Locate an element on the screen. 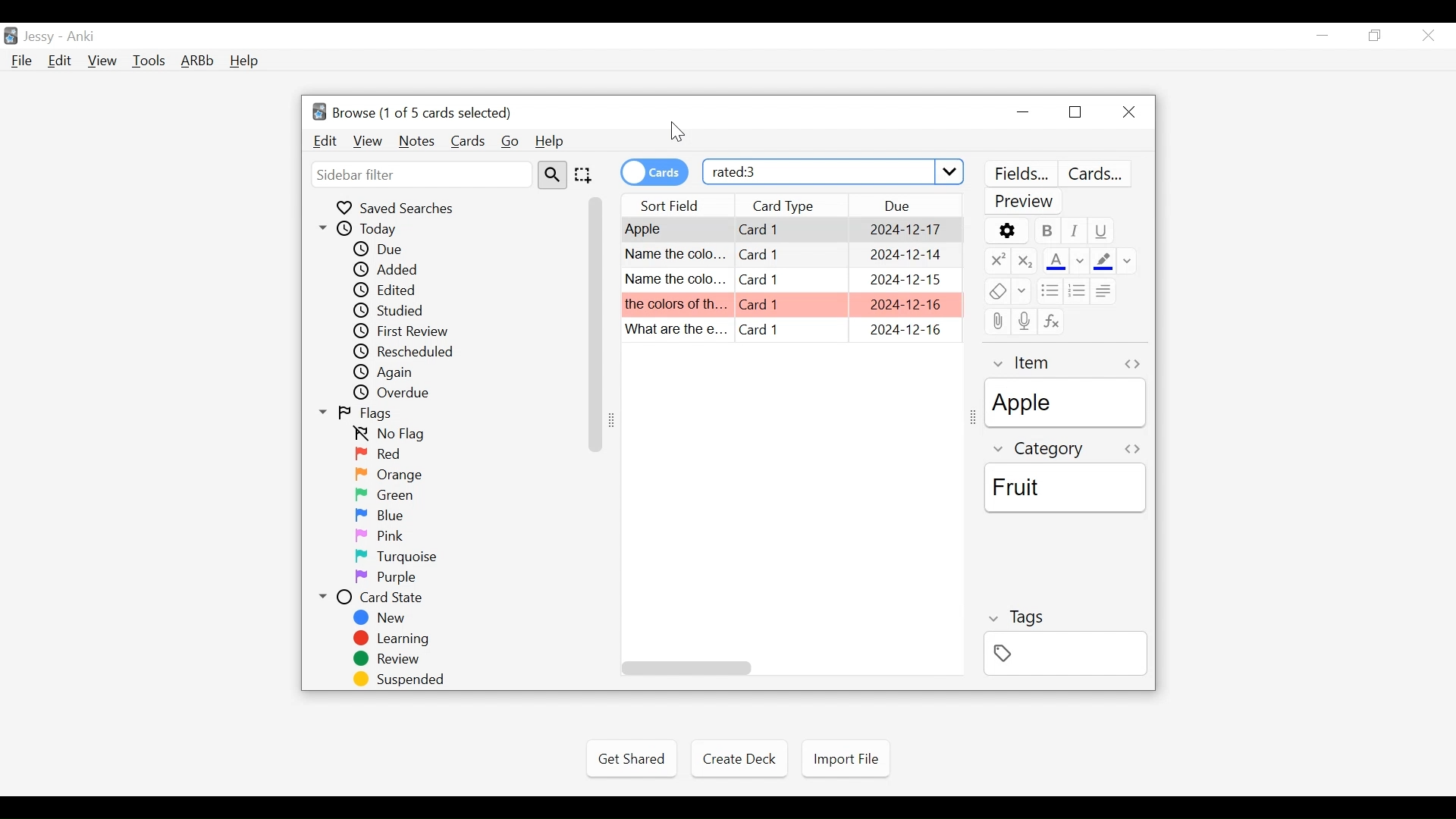 This screenshot has width=1456, height=819. Card is located at coordinates (676, 280).